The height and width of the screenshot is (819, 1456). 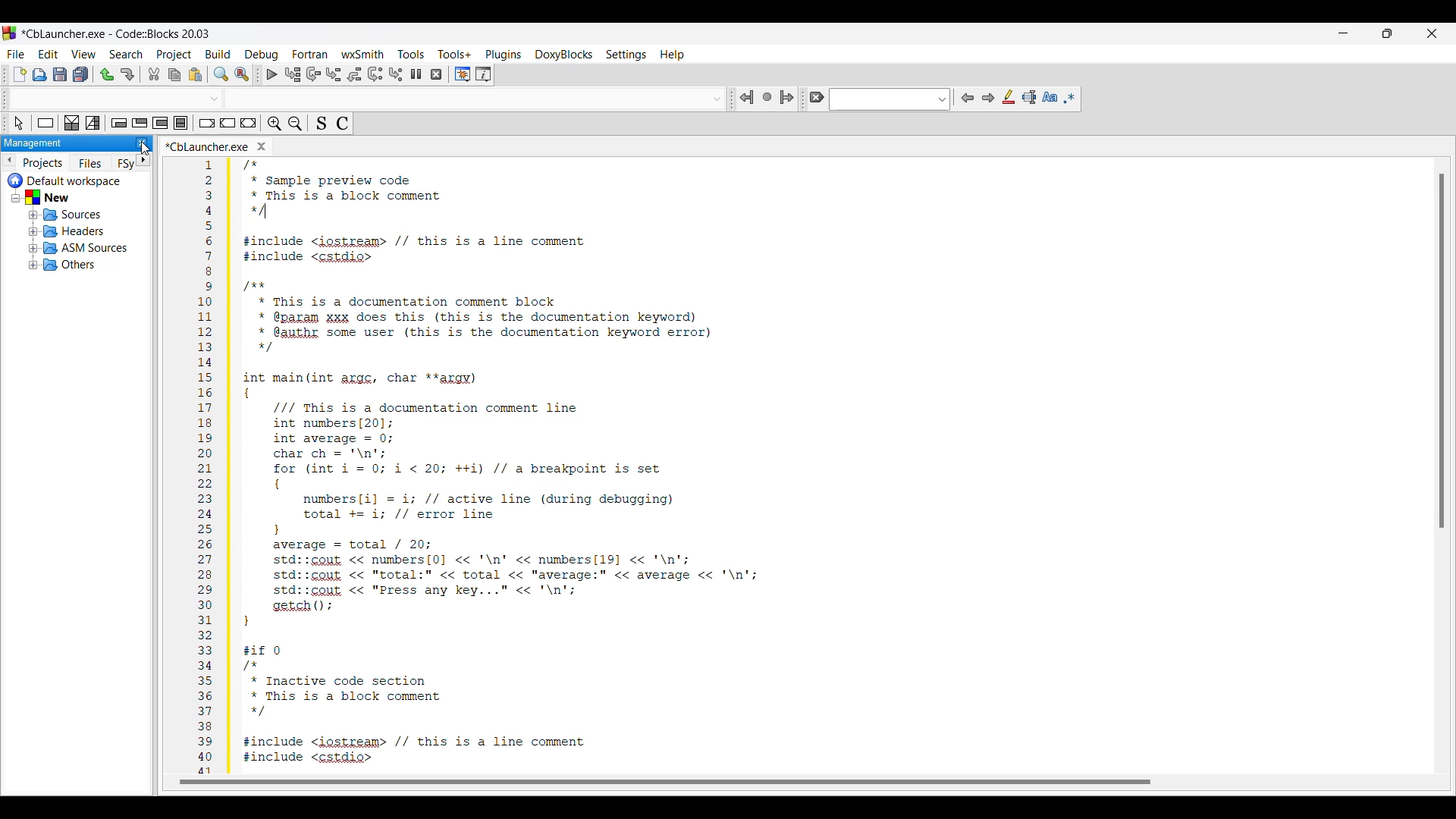 What do you see at coordinates (68, 223) in the screenshot?
I see `Files under Project tree` at bounding box center [68, 223].